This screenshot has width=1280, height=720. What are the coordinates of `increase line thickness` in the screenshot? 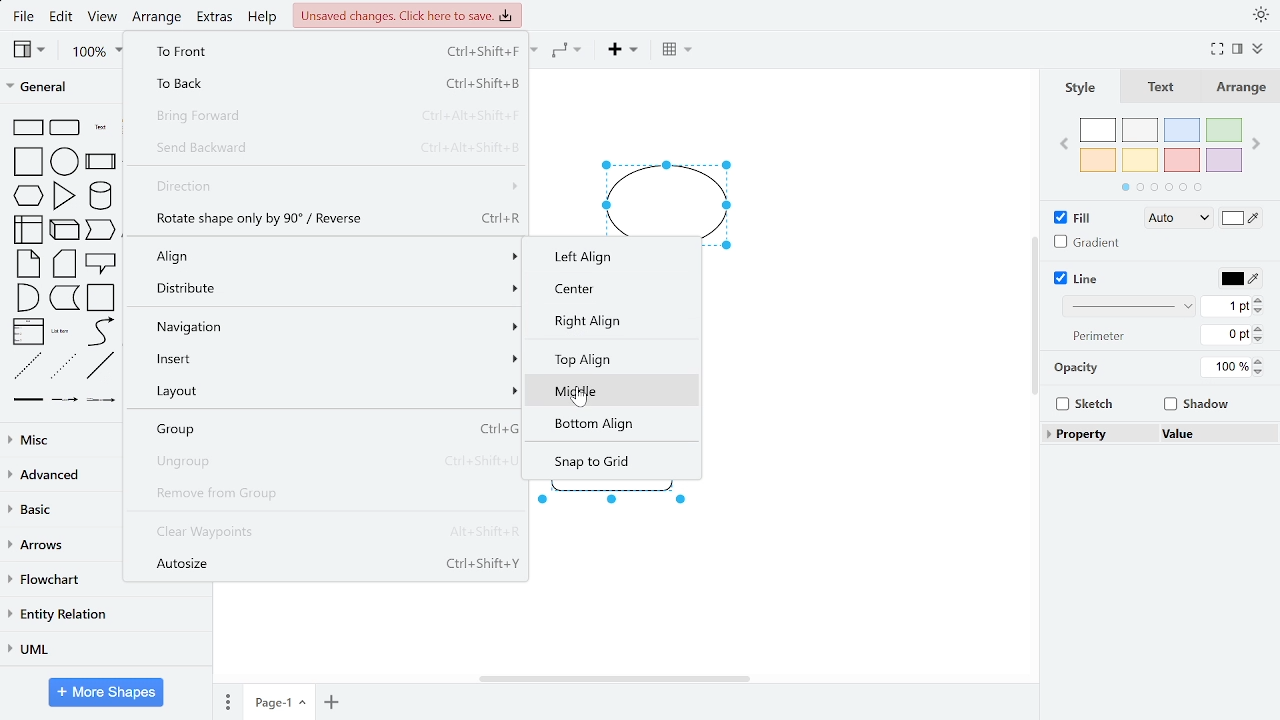 It's located at (1261, 299).